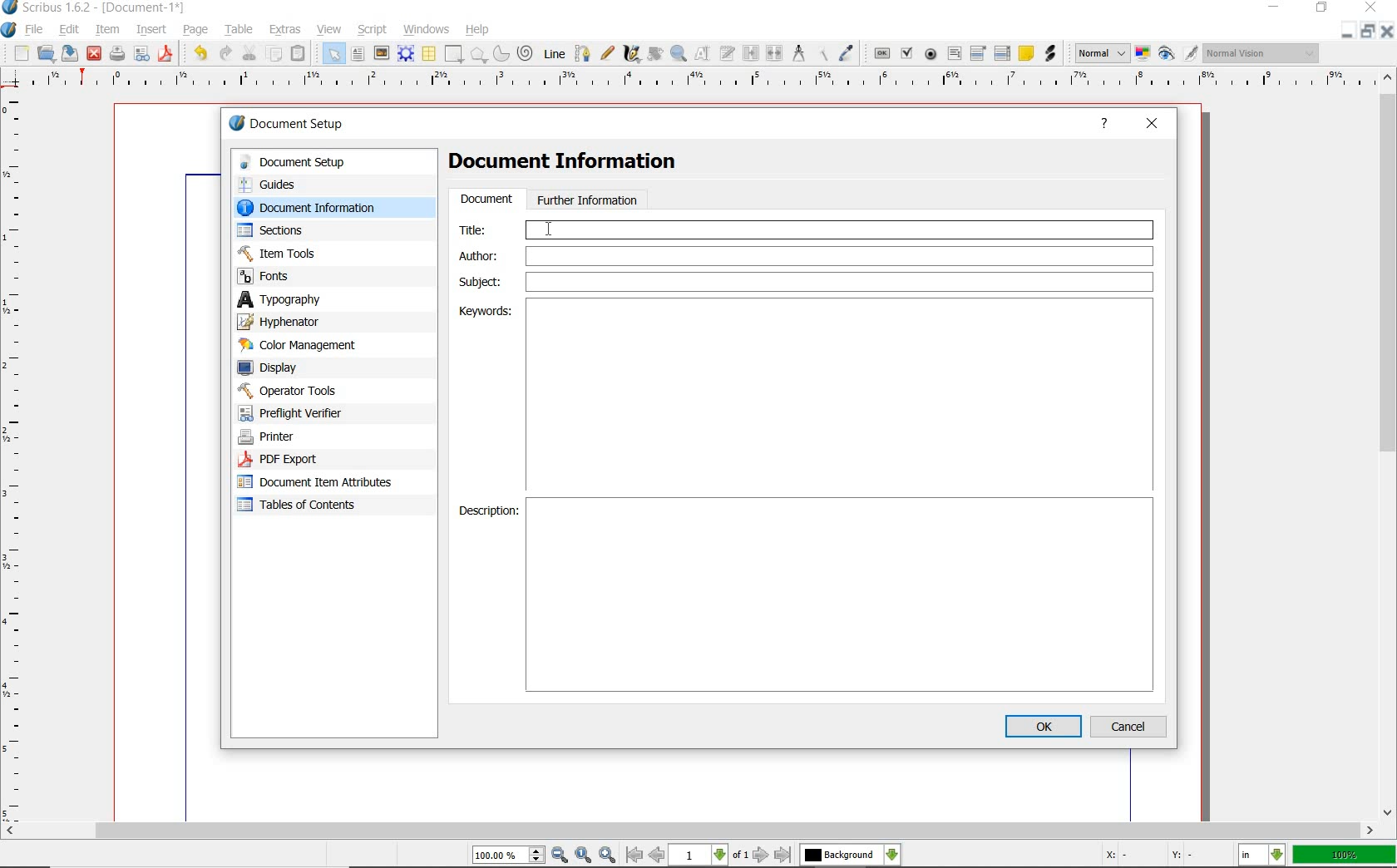  What do you see at coordinates (454, 53) in the screenshot?
I see `shape` at bounding box center [454, 53].